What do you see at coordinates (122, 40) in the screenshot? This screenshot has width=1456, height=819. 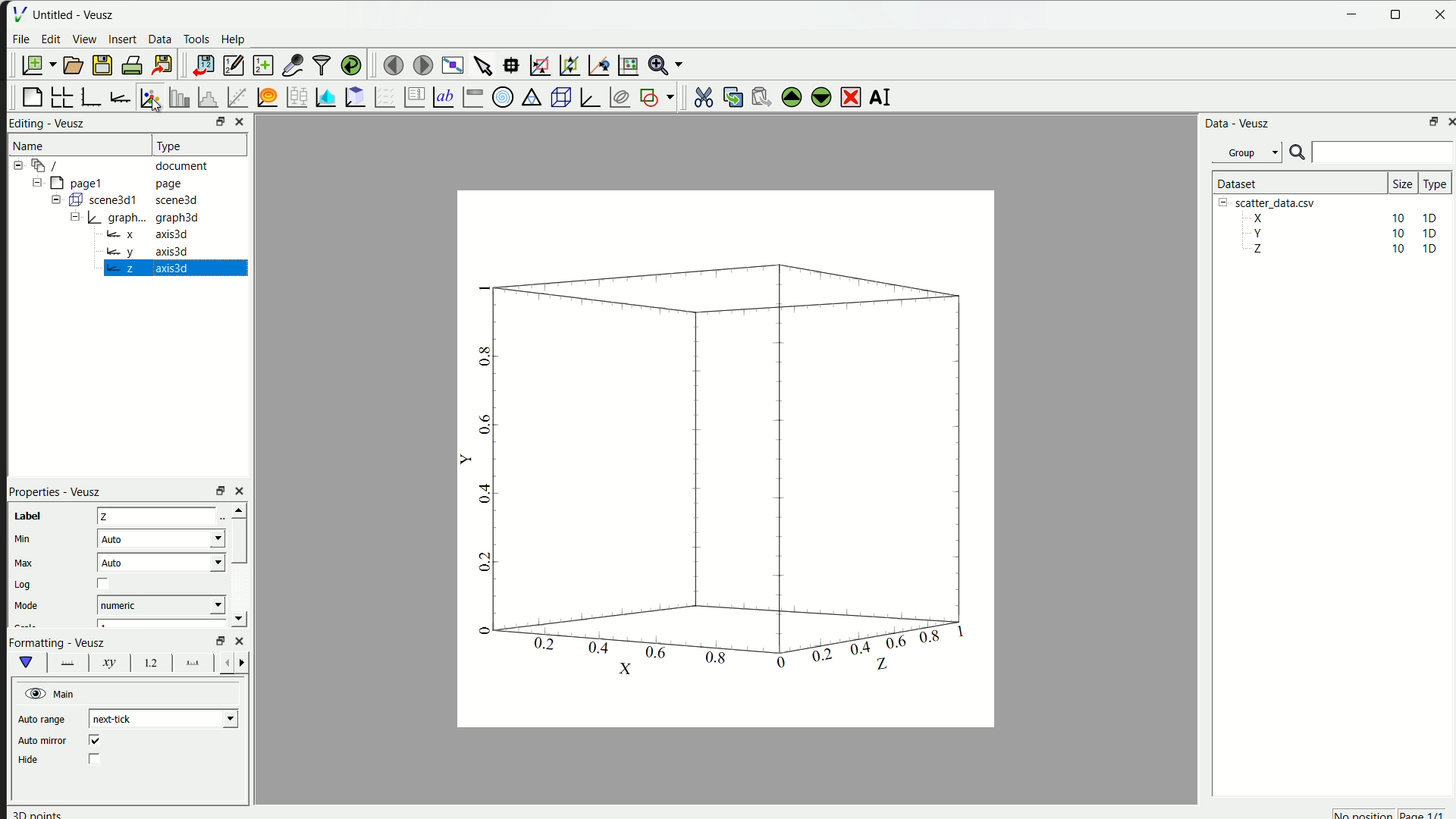 I see `insert` at bounding box center [122, 40].